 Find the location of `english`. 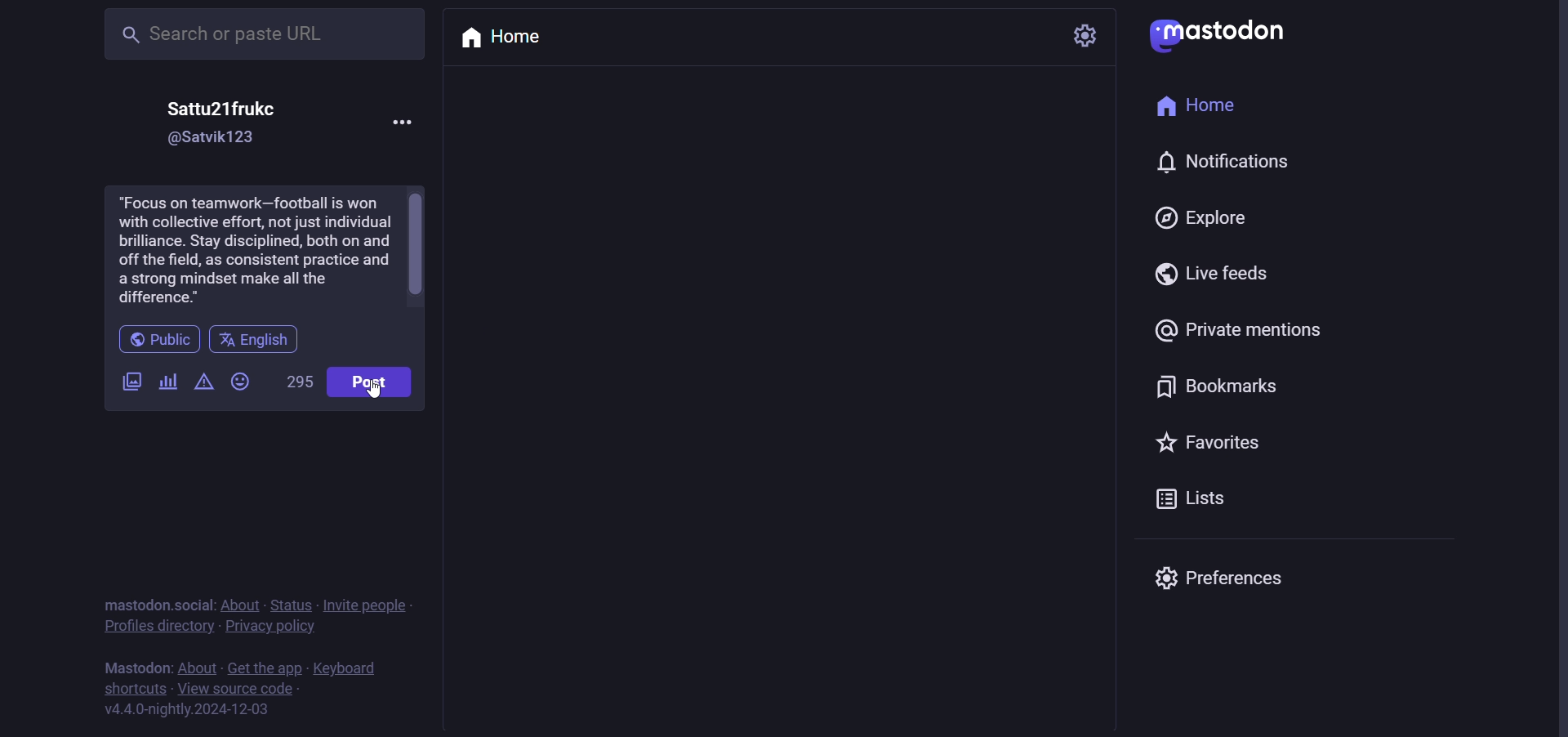

english is located at coordinates (255, 338).